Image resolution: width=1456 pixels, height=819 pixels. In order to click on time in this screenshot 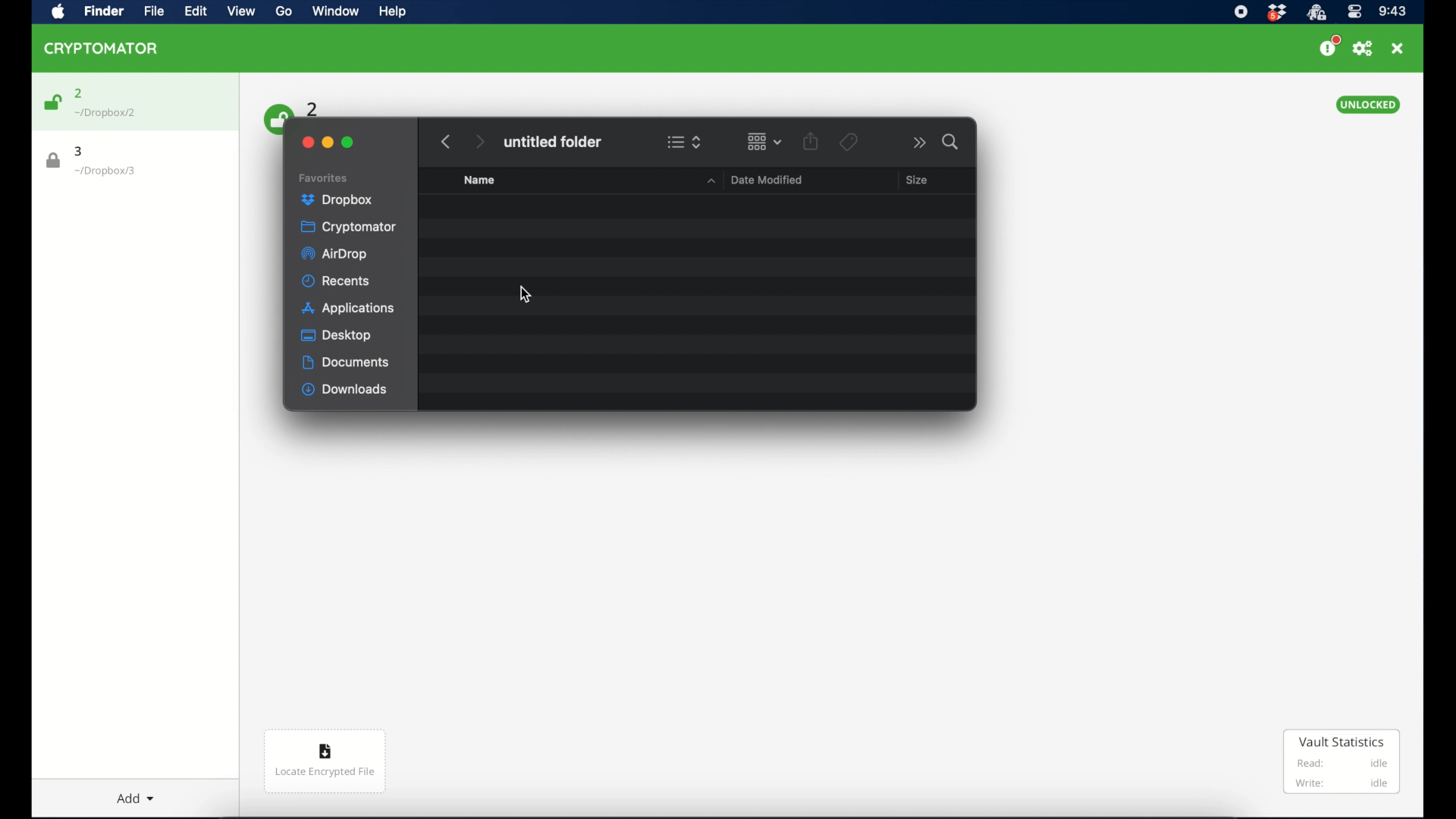, I will do `click(1392, 12)`.